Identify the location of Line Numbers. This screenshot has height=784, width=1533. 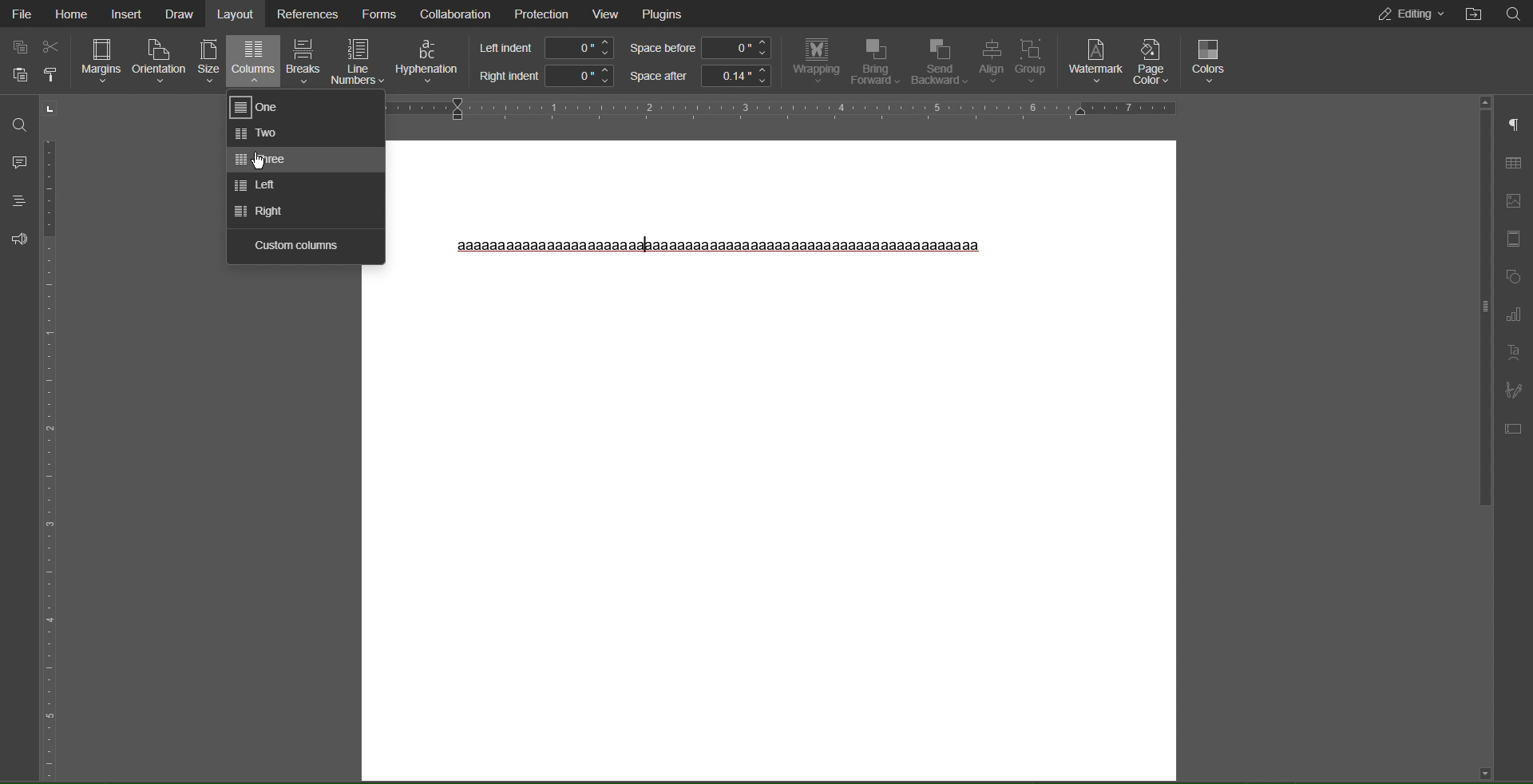
(357, 61).